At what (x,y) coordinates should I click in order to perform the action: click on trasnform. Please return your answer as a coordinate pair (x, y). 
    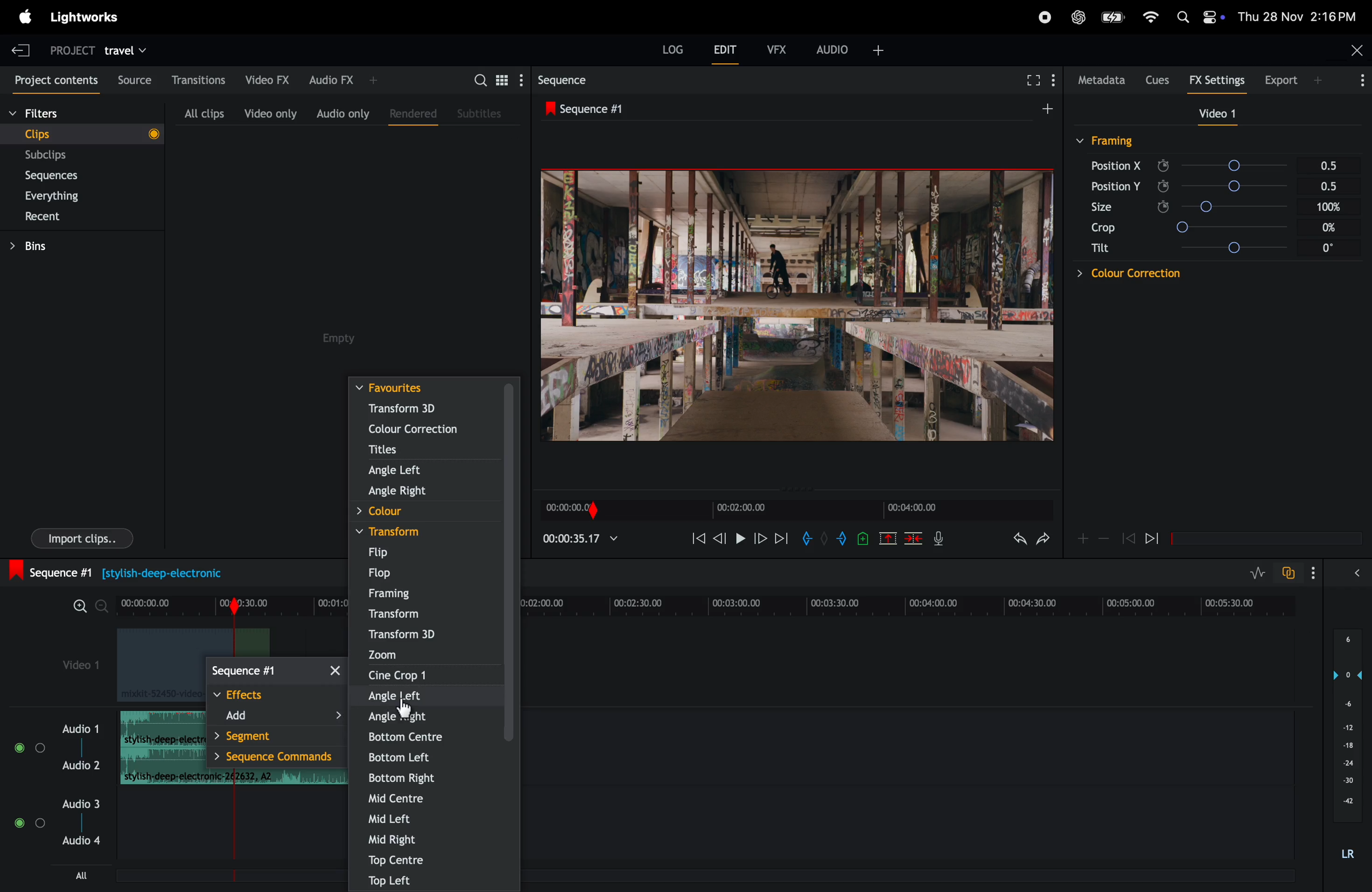
    Looking at the image, I should click on (427, 615).